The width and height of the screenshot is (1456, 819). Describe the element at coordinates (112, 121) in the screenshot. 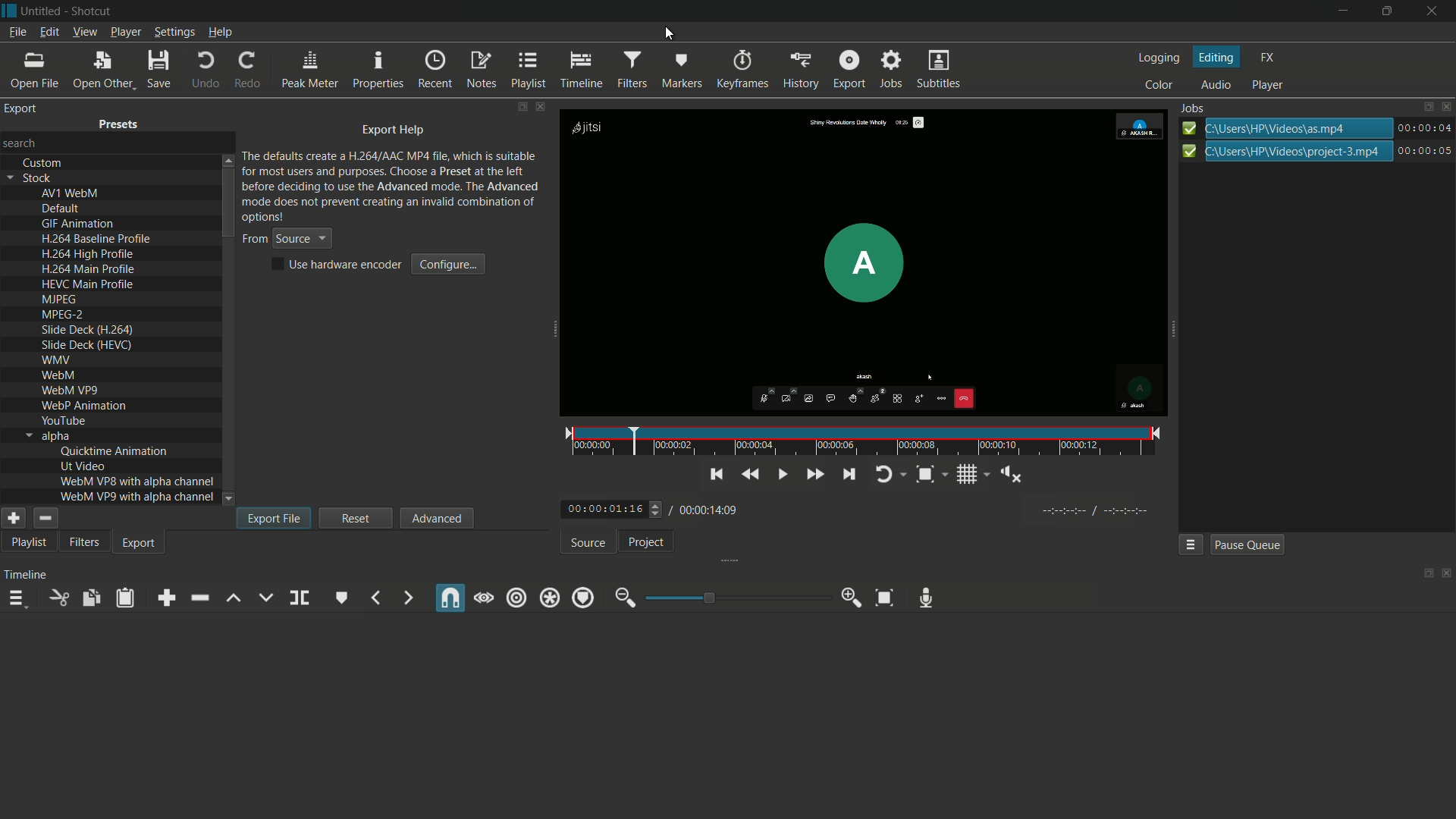

I see `Presets` at that location.